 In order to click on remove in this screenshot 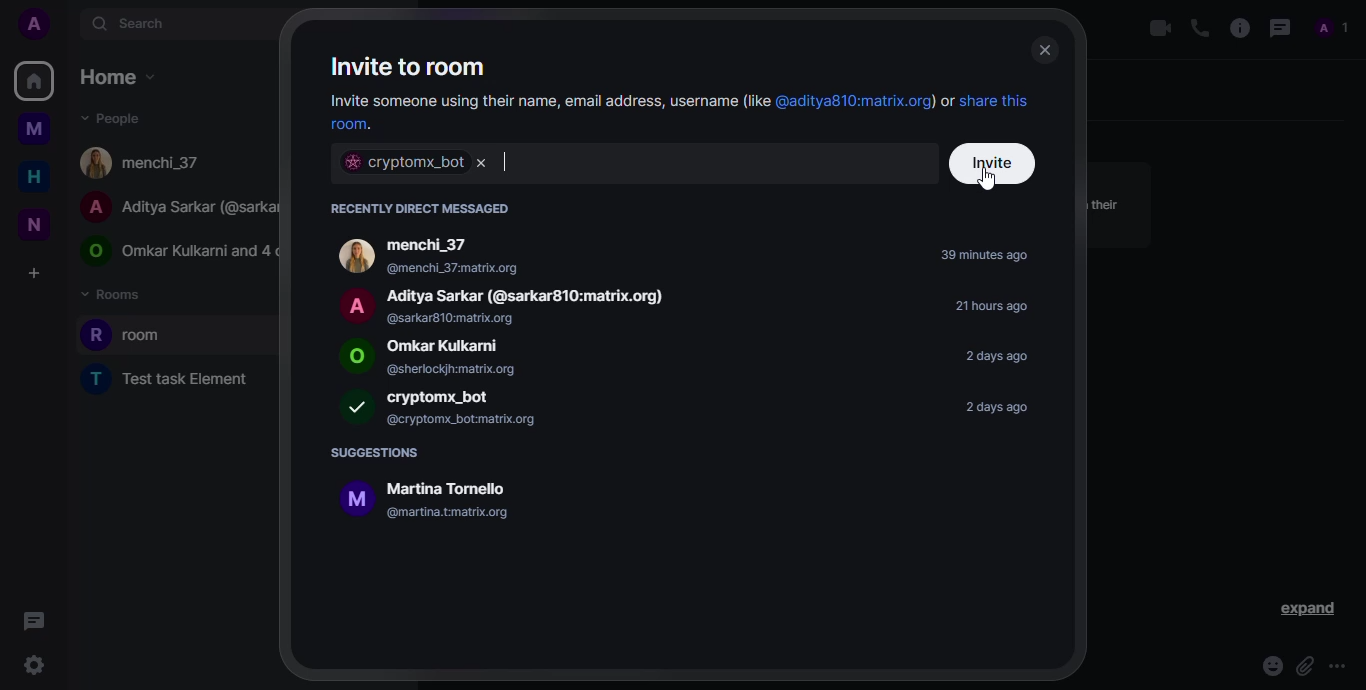, I will do `click(484, 163)`.